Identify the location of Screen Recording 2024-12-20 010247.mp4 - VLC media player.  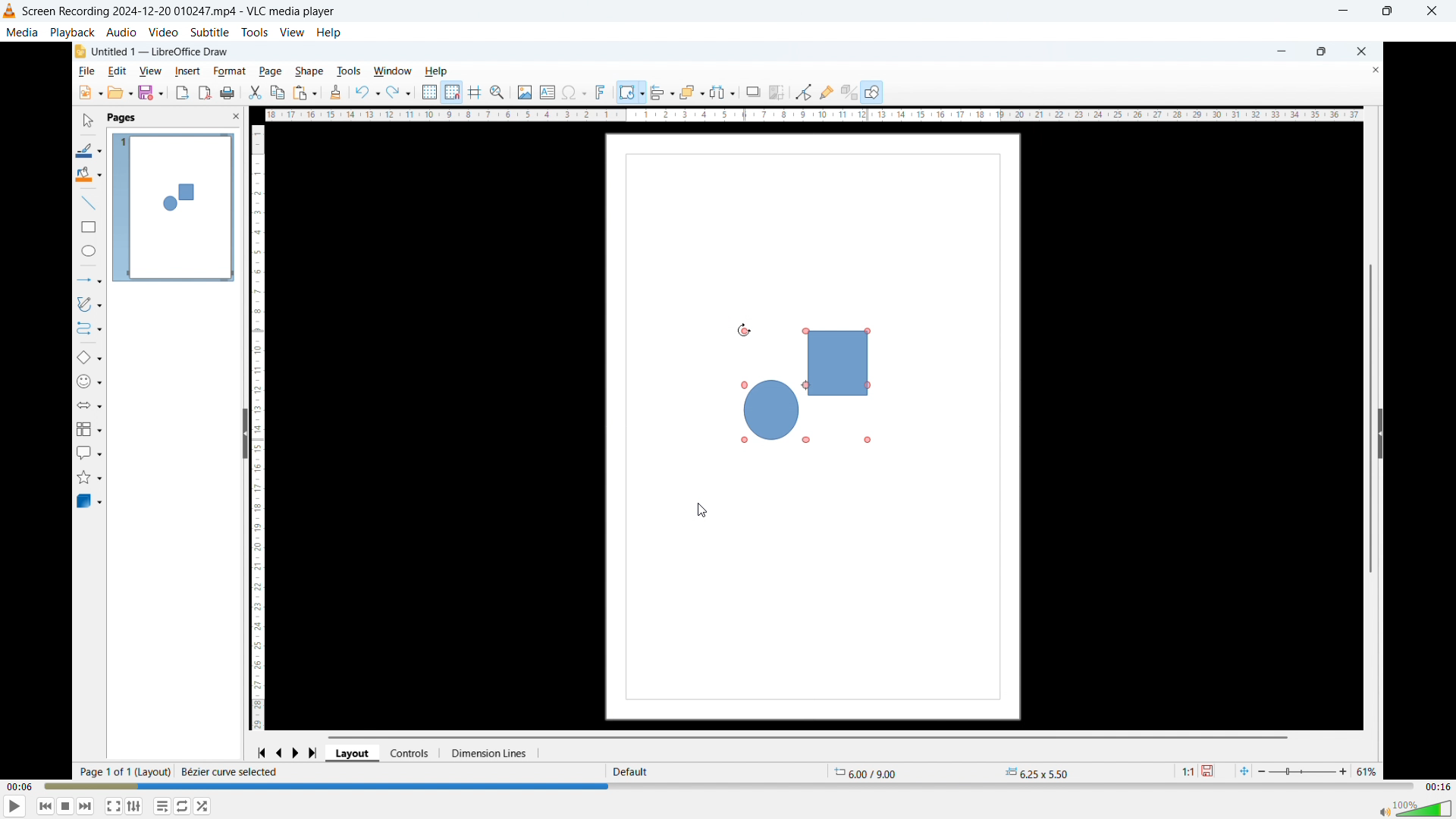
(180, 12).